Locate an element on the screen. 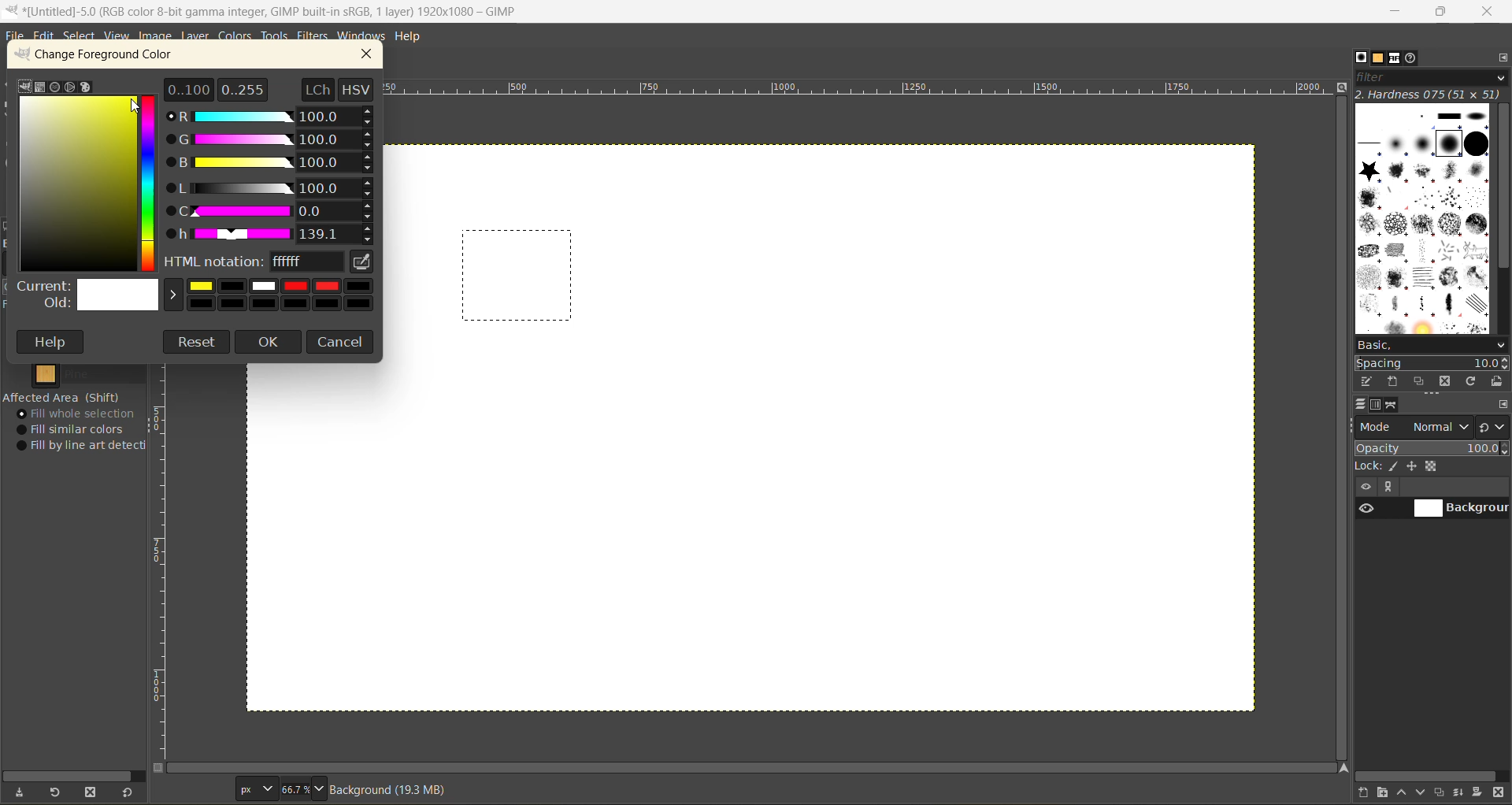  hide is located at coordinates (1365, 488).